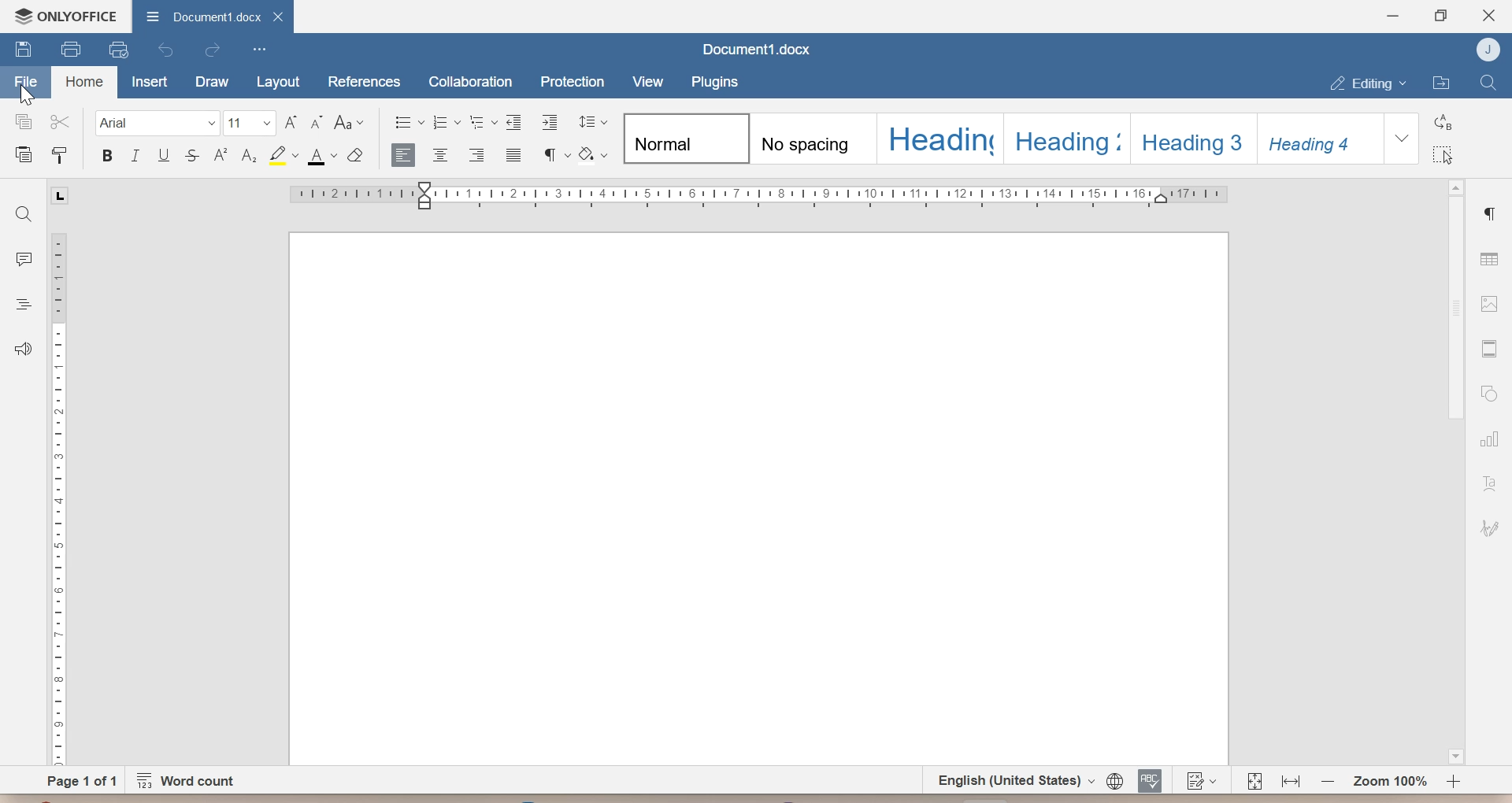  I want to click on Feedback and Support, so click(20, 350).